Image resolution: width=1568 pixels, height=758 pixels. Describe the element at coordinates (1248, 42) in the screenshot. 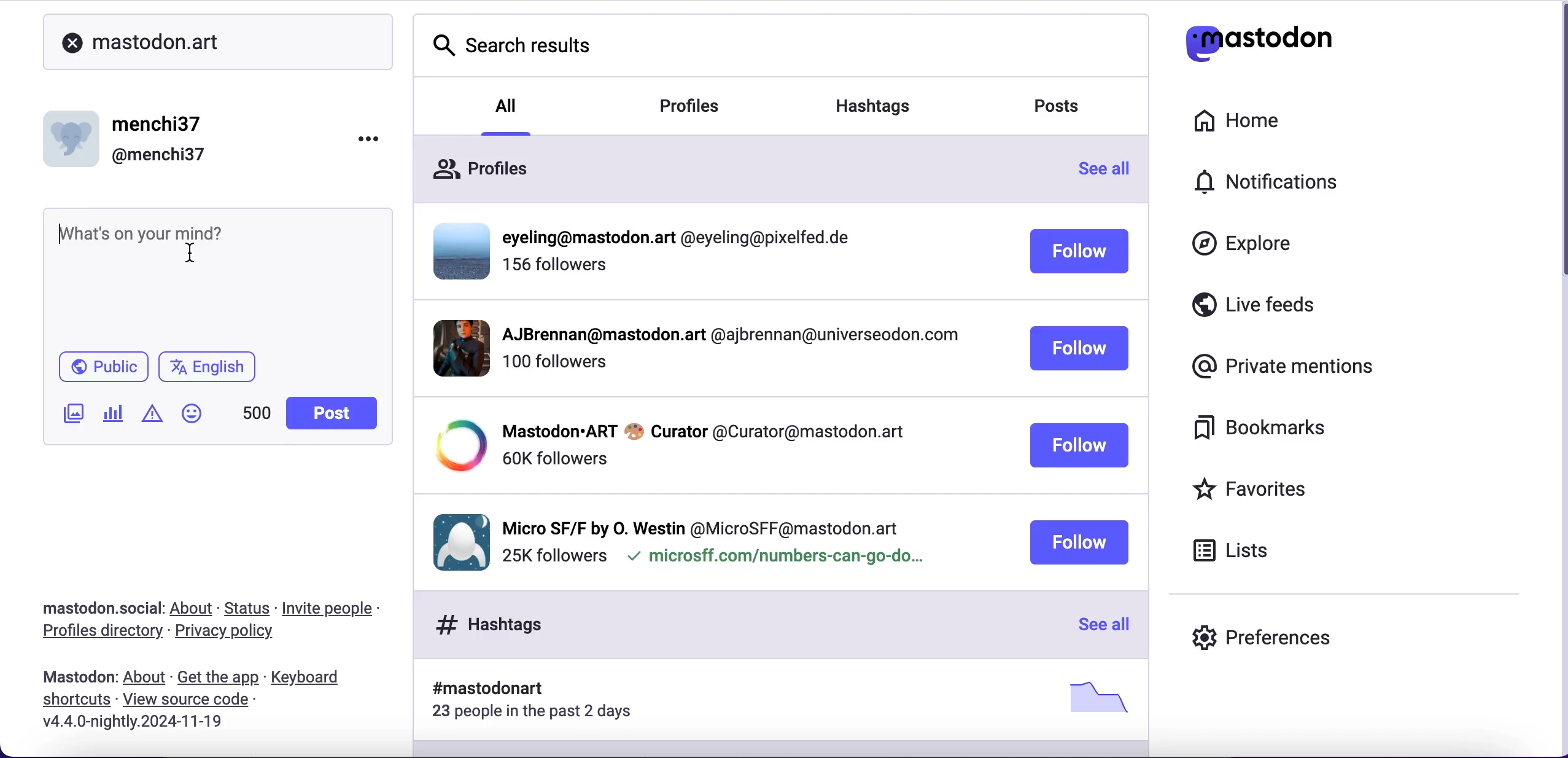

I see `mastodon logo` at that location.